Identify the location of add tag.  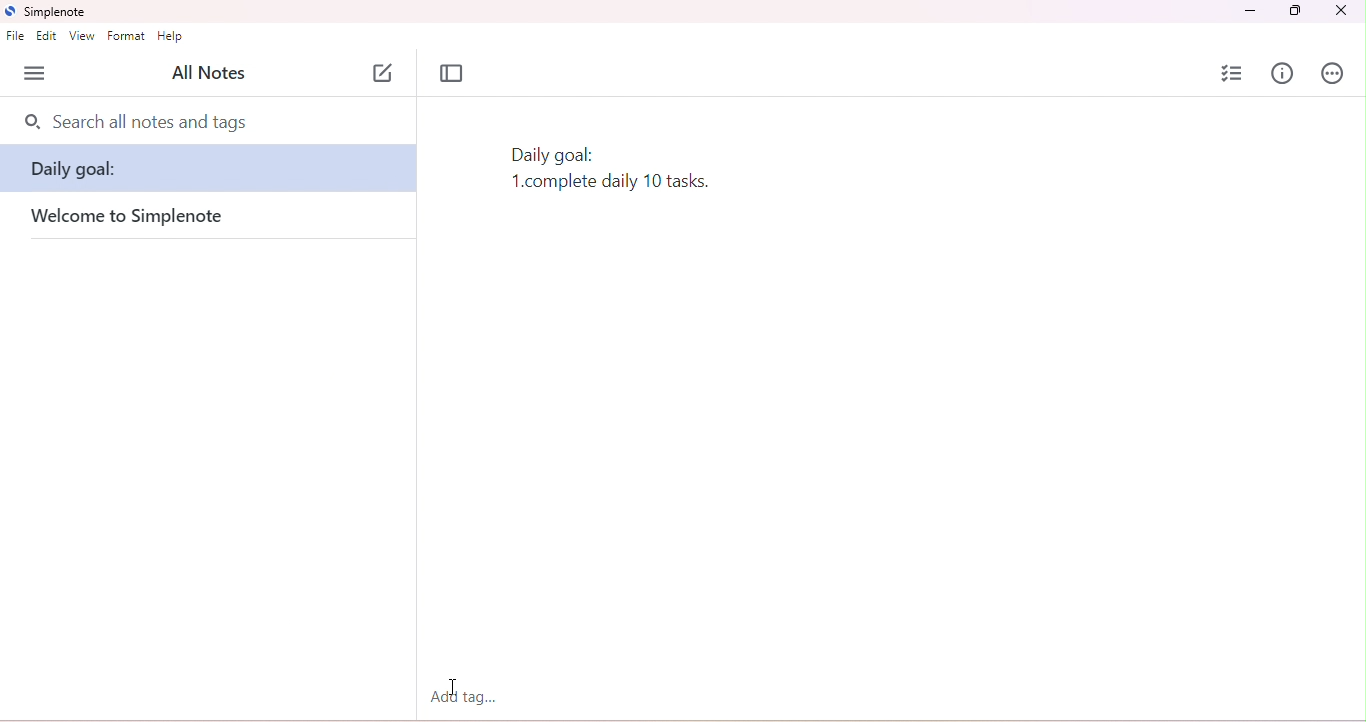
(463, 697).